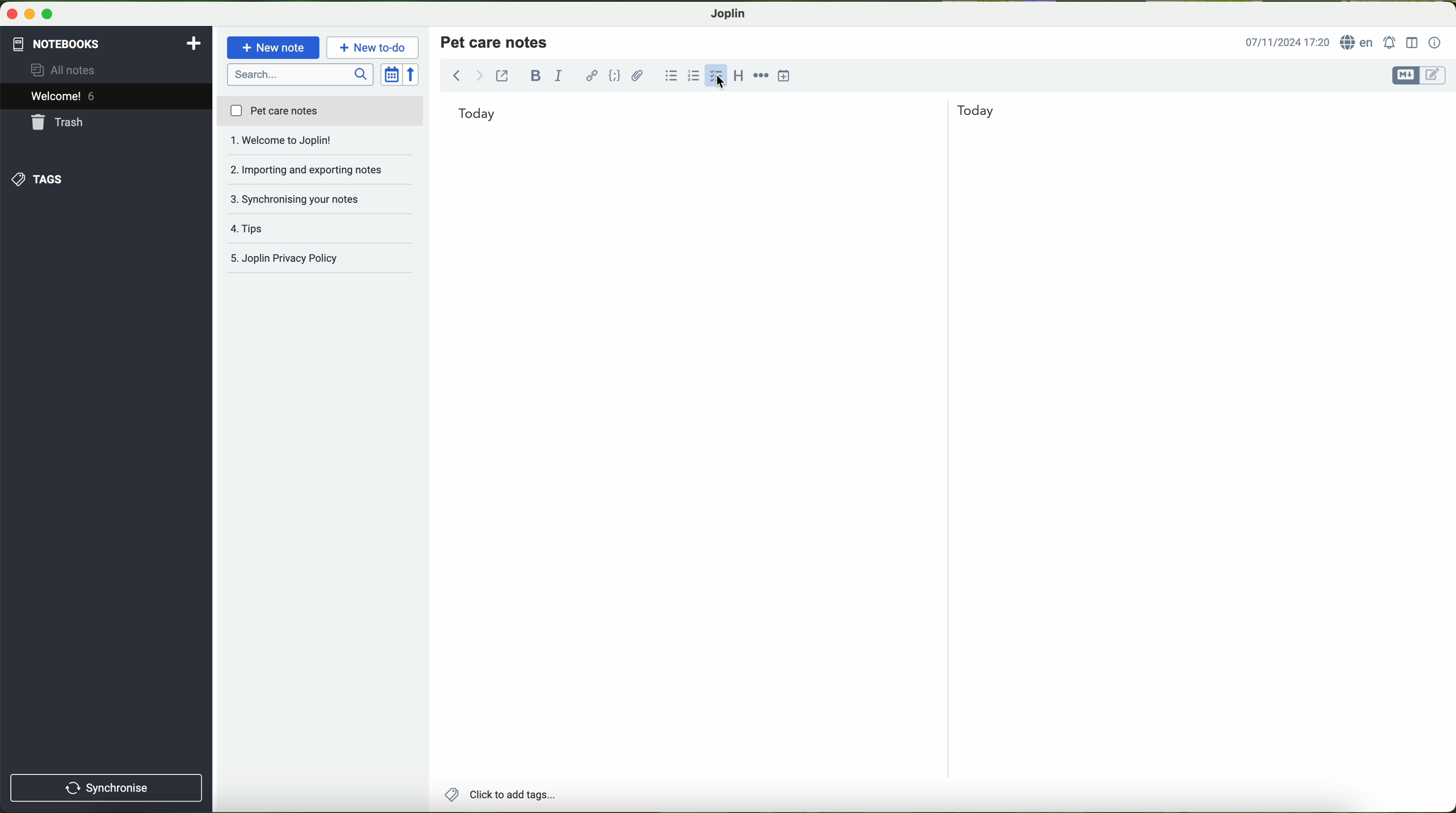 The image size is (1456, 813). What do you see at coordinates (692, 76) in the screenshot?
I see `numbered list` at bounding box center [692, 76].